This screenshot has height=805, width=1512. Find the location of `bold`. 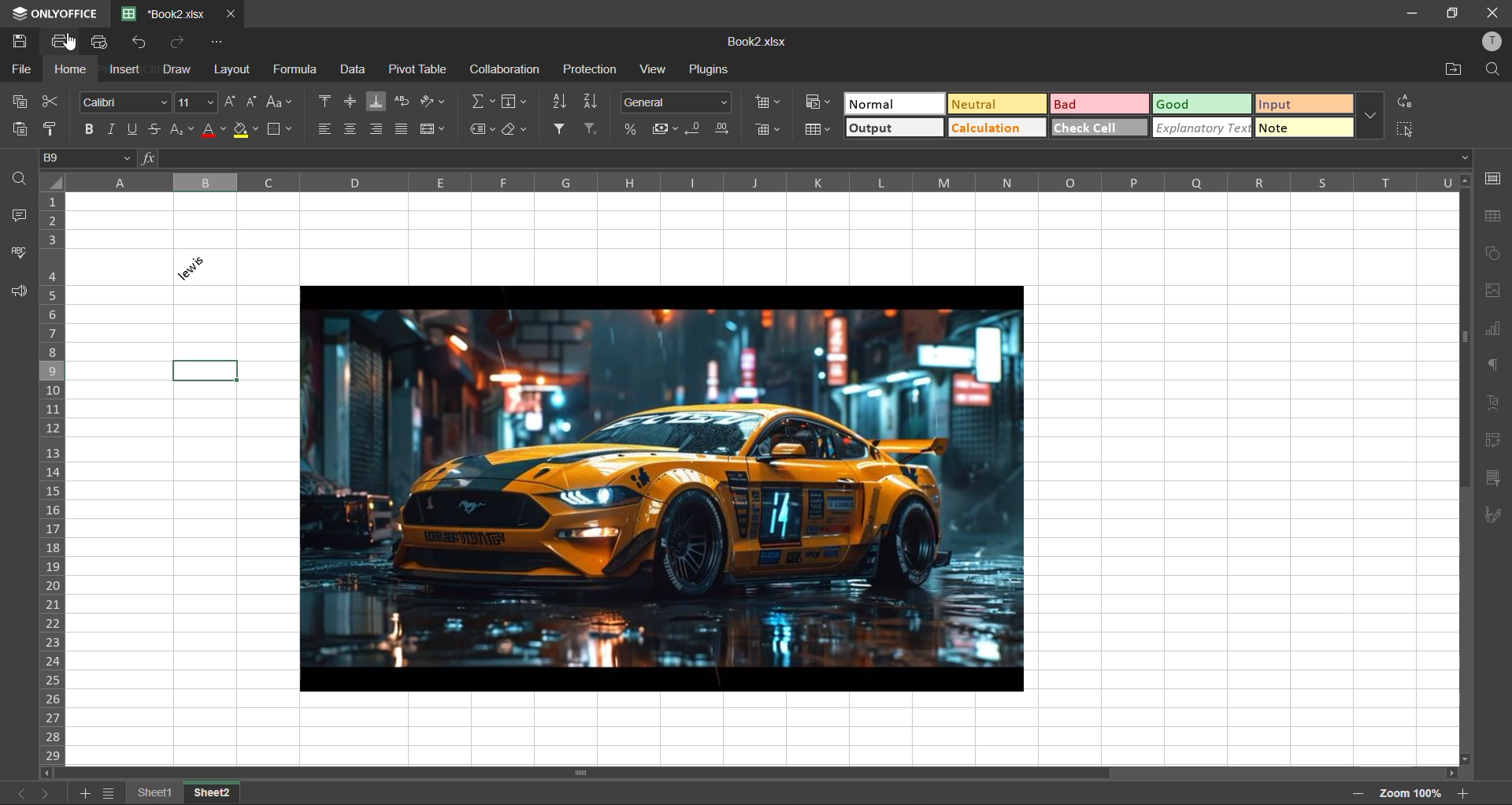

bold is located at coordinates (86, 131).